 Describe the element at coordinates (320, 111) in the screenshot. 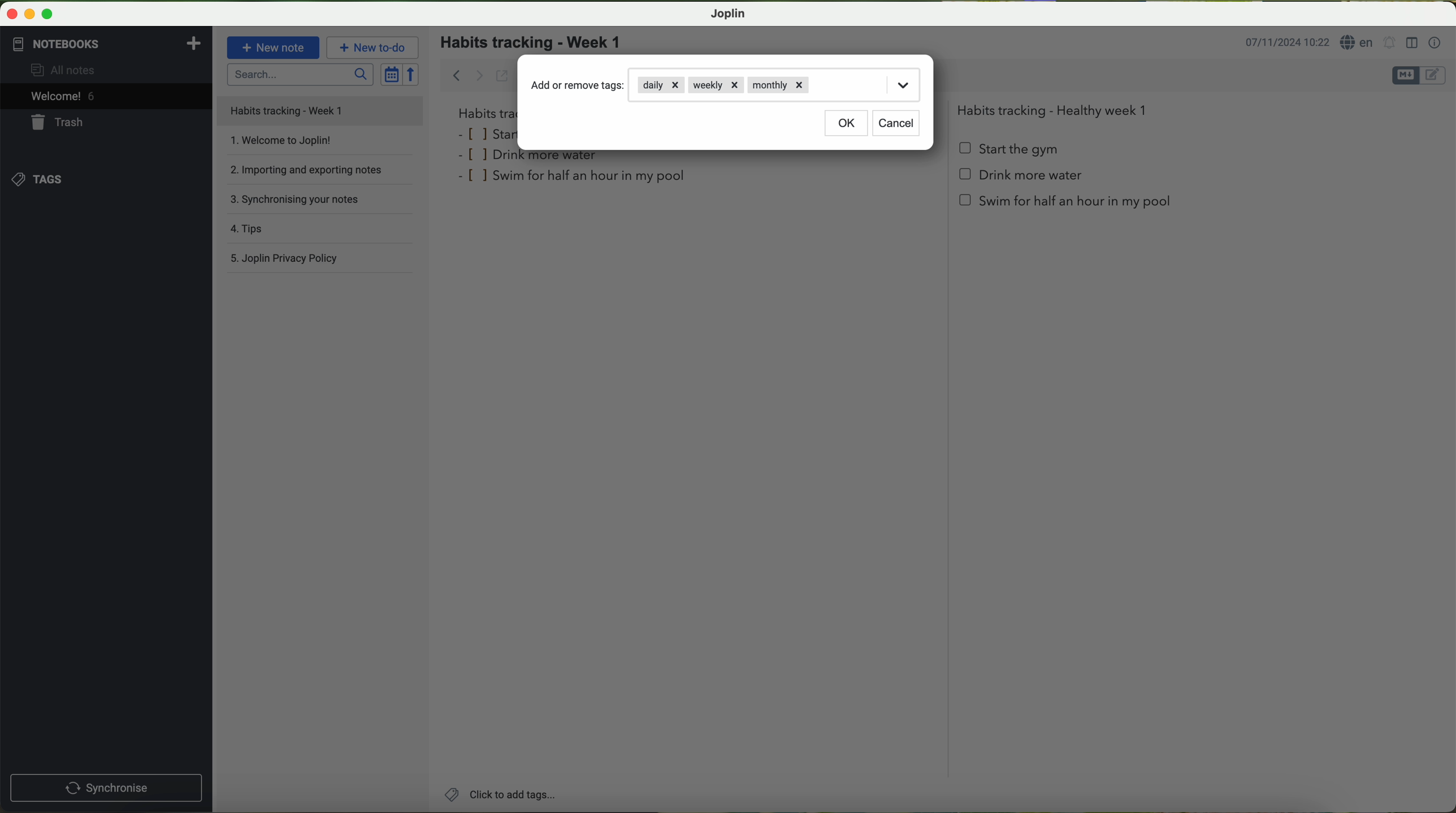

I see `file title` at that location.